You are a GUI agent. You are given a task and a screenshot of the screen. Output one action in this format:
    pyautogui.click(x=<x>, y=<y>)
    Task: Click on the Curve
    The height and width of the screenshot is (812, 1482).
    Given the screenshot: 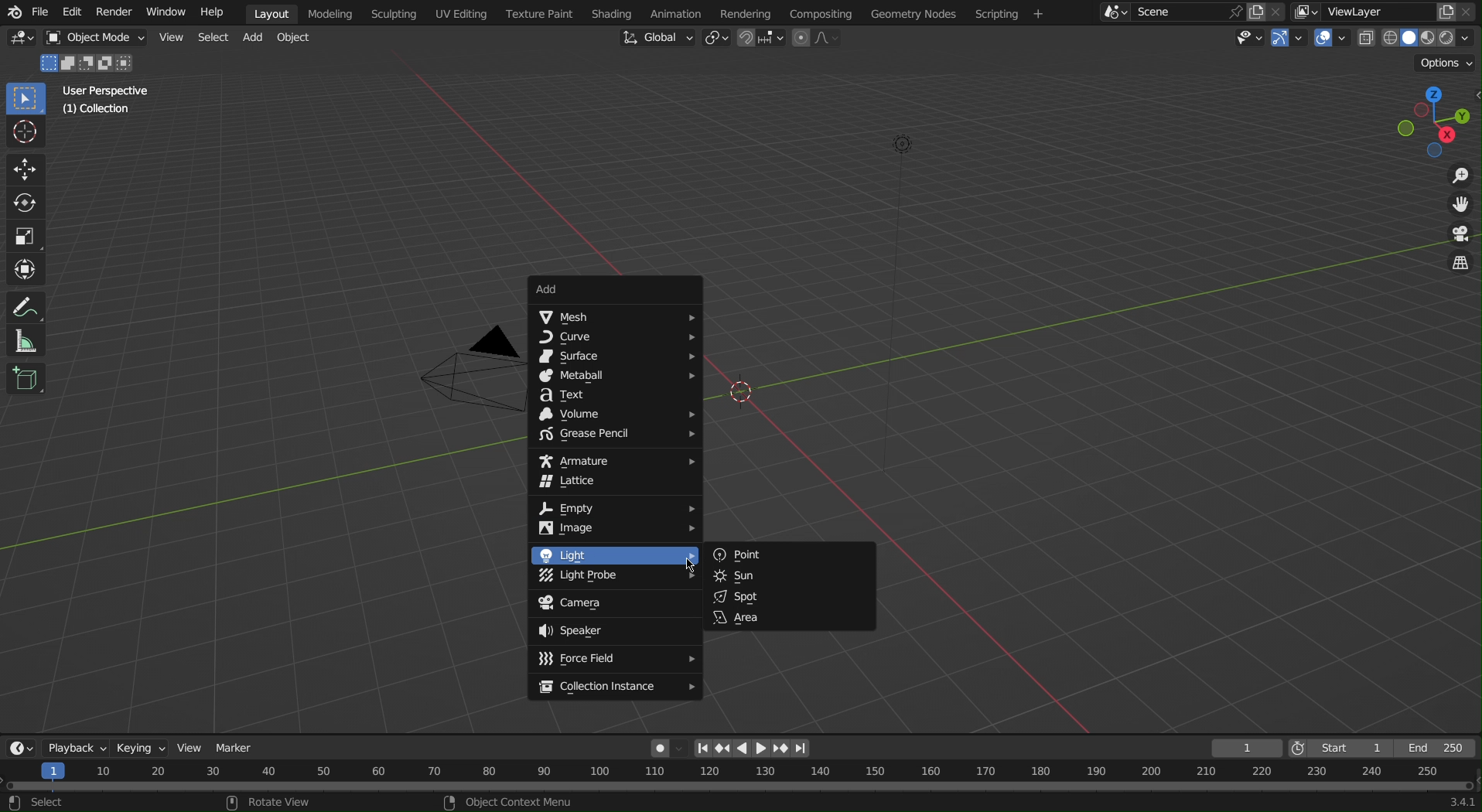 What is the action you would take?
    pyautogui.click(x=616, y=339)
    